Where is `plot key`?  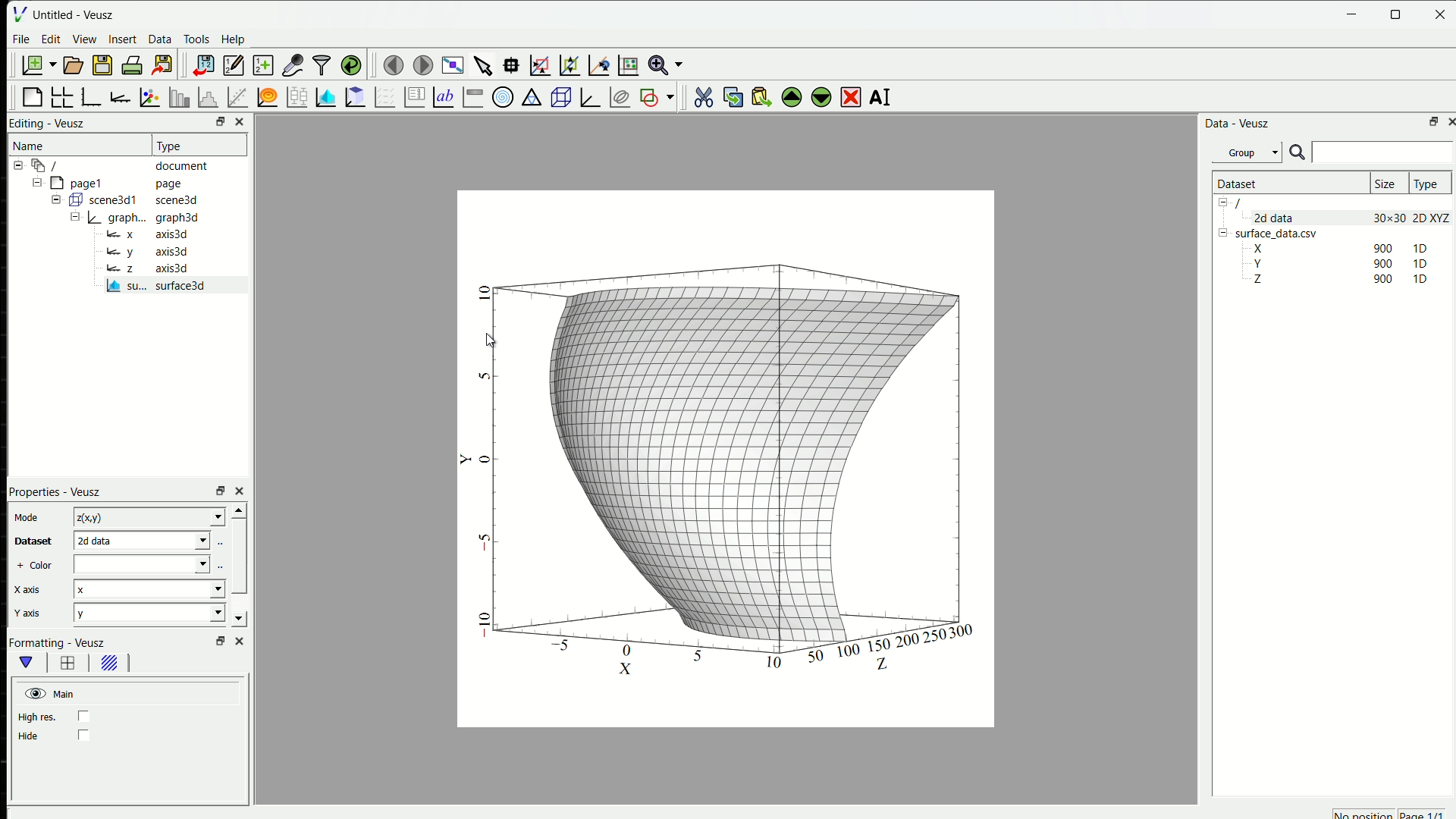 plot key is located at coordinates (416, 97).